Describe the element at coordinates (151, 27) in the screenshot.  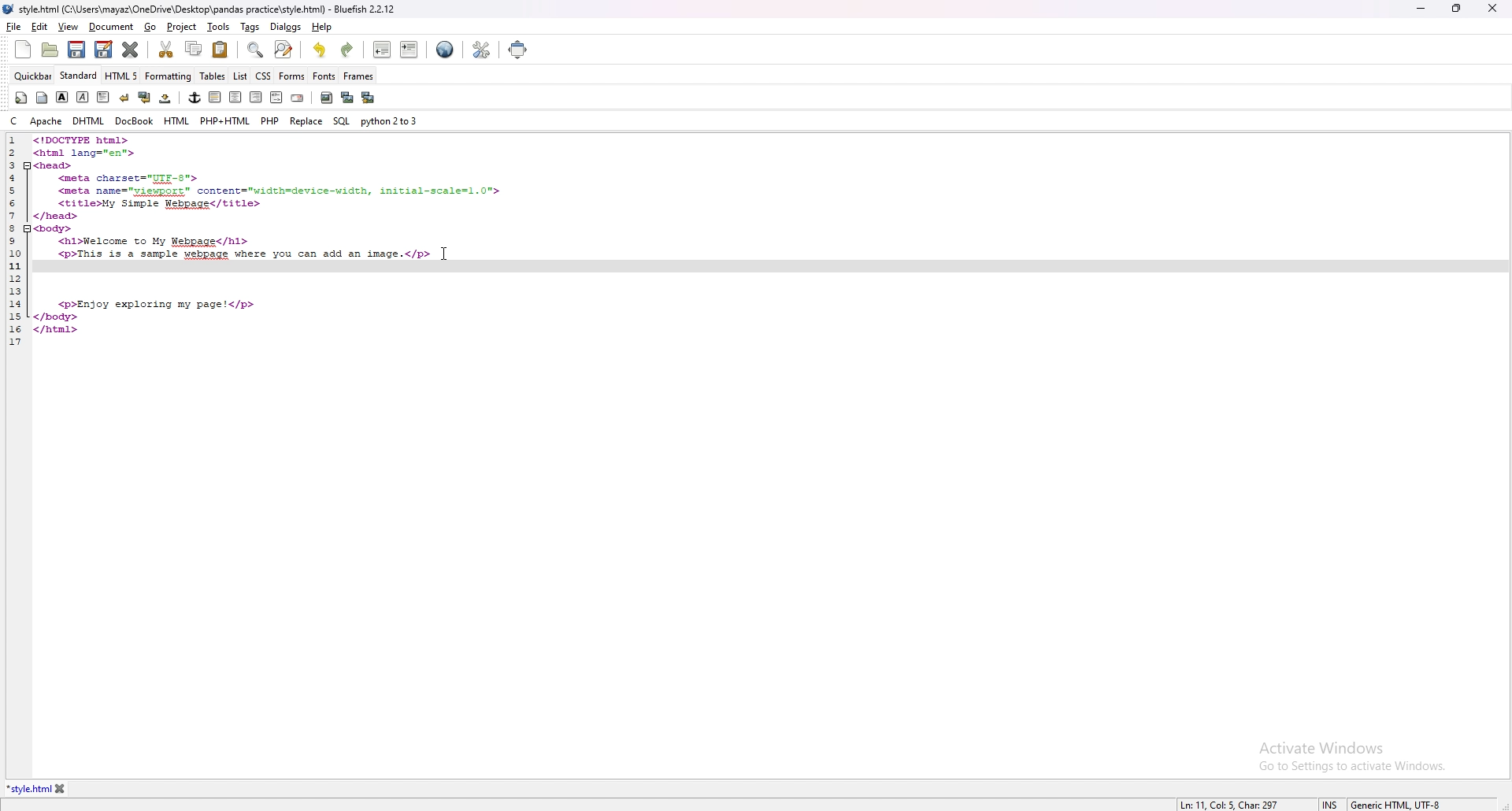
I see `go` at that location.